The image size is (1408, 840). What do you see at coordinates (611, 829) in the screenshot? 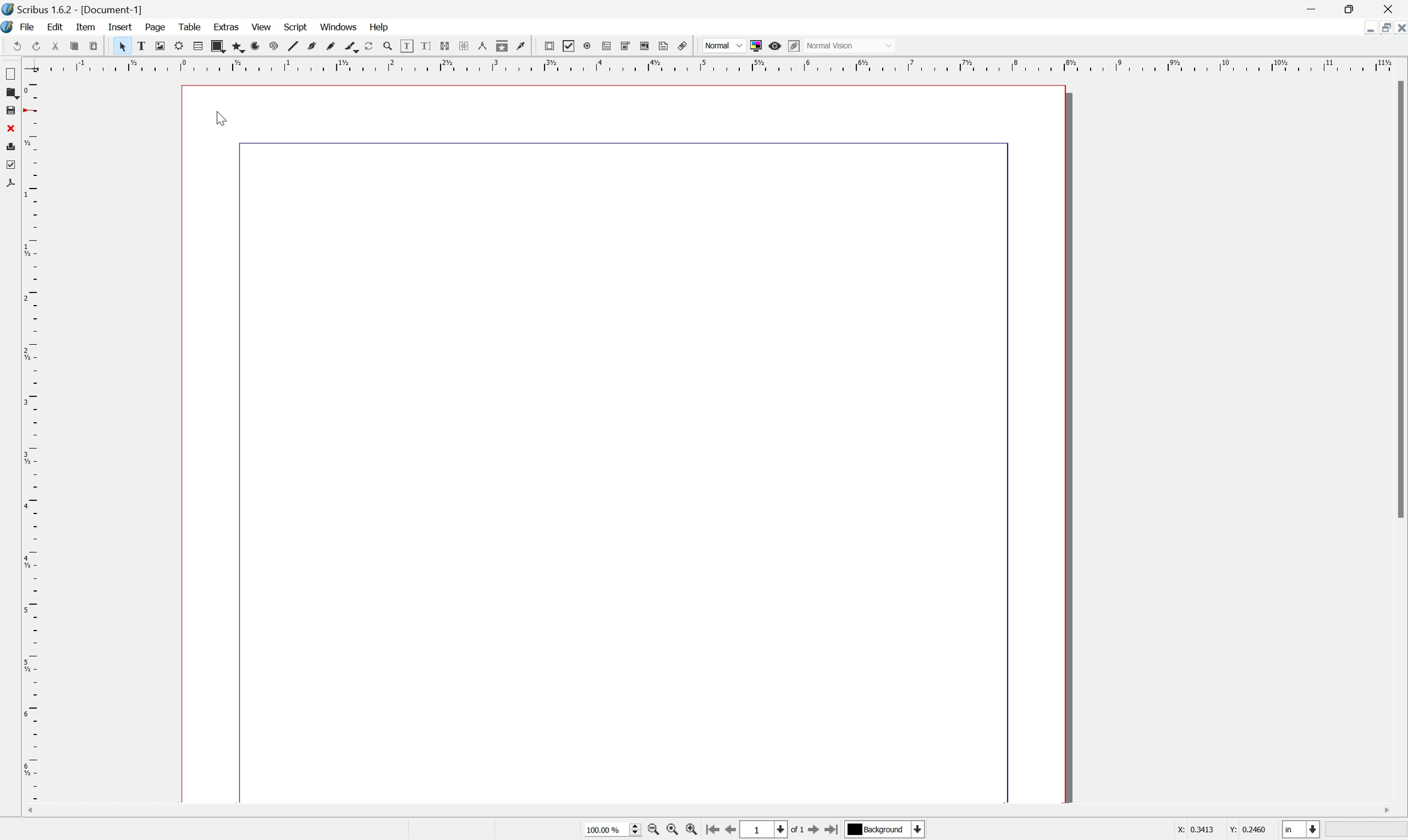
I see `100.00%` at bounding box center [611, 829].